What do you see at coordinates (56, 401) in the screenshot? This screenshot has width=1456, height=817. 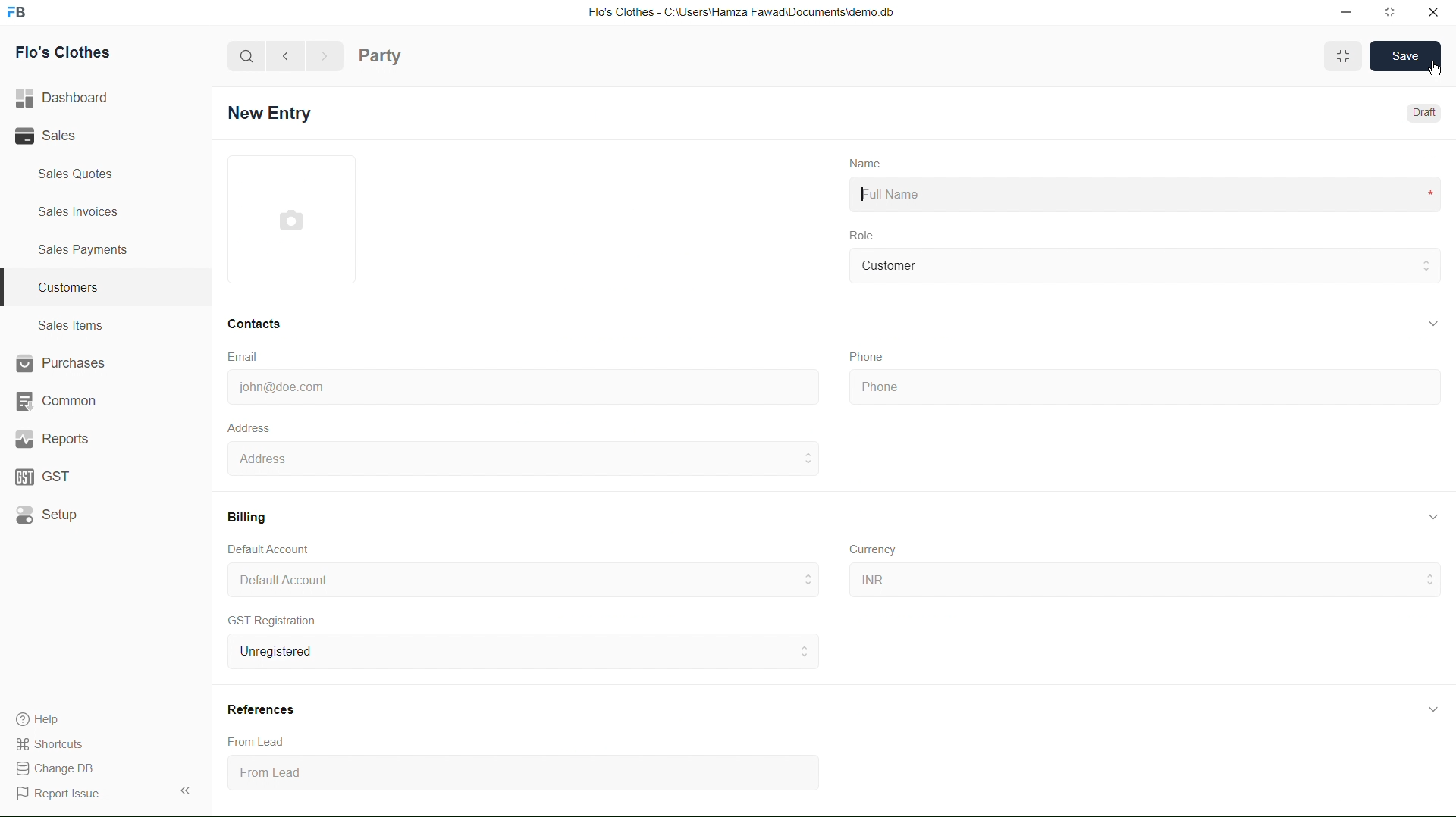 I see `Common` at bounding box center [56, 401].